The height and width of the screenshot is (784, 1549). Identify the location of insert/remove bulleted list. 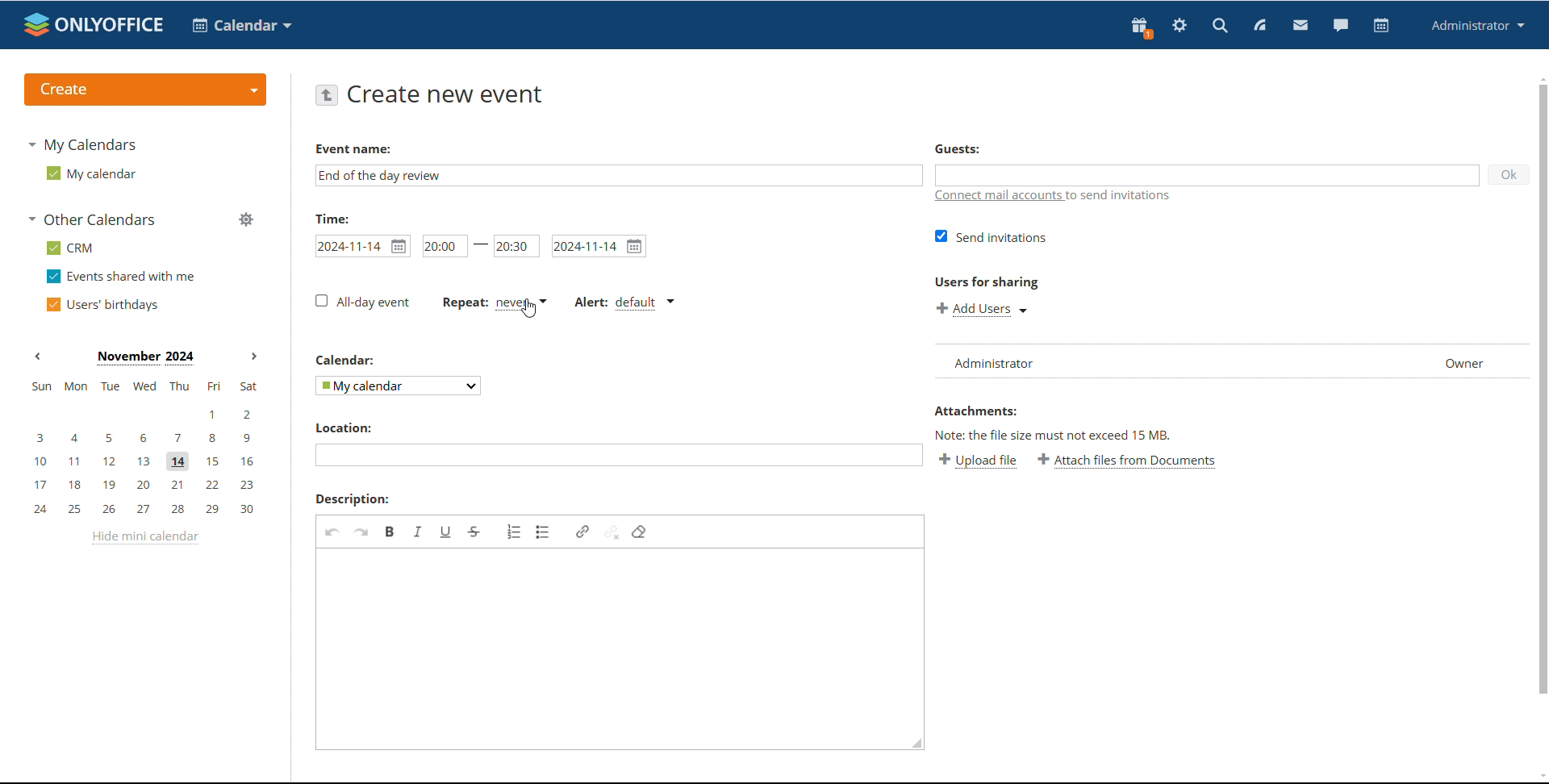
(544, 532).